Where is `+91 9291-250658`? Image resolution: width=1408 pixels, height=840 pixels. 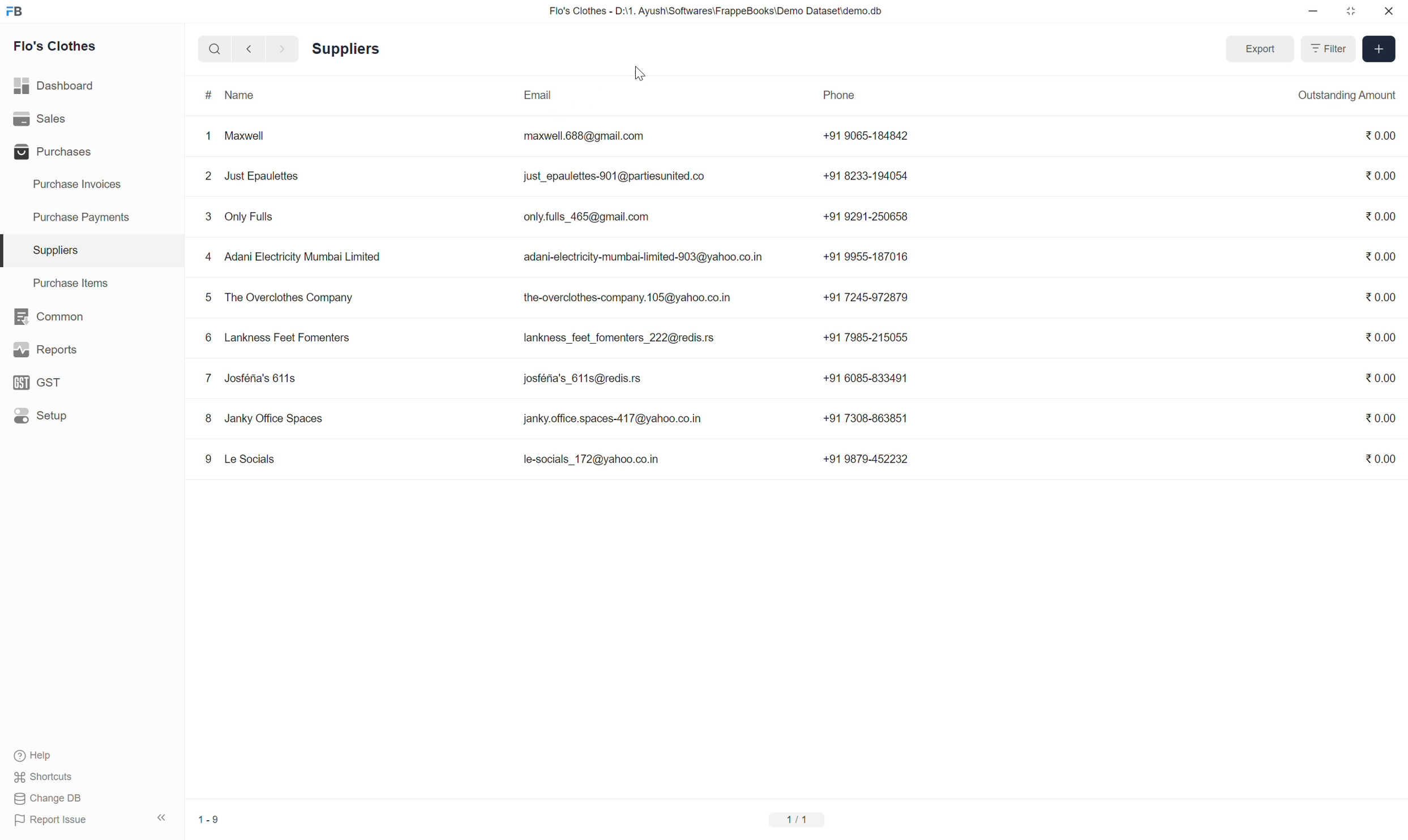
+91 9291-250658 is located at coordinates (867, 216).